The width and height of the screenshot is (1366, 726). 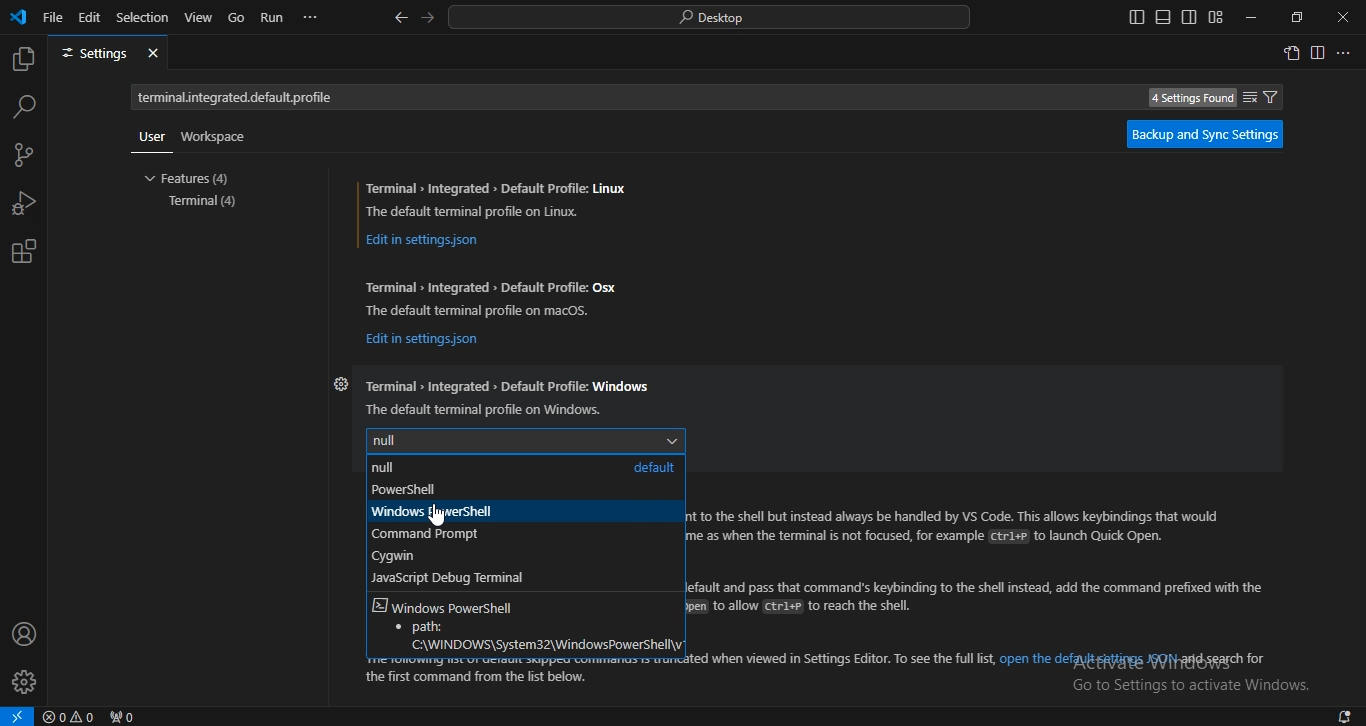 What do you see at coordinates (1344, 16) in the screenshot?
I see `close` at bounding box center [1344, 16].